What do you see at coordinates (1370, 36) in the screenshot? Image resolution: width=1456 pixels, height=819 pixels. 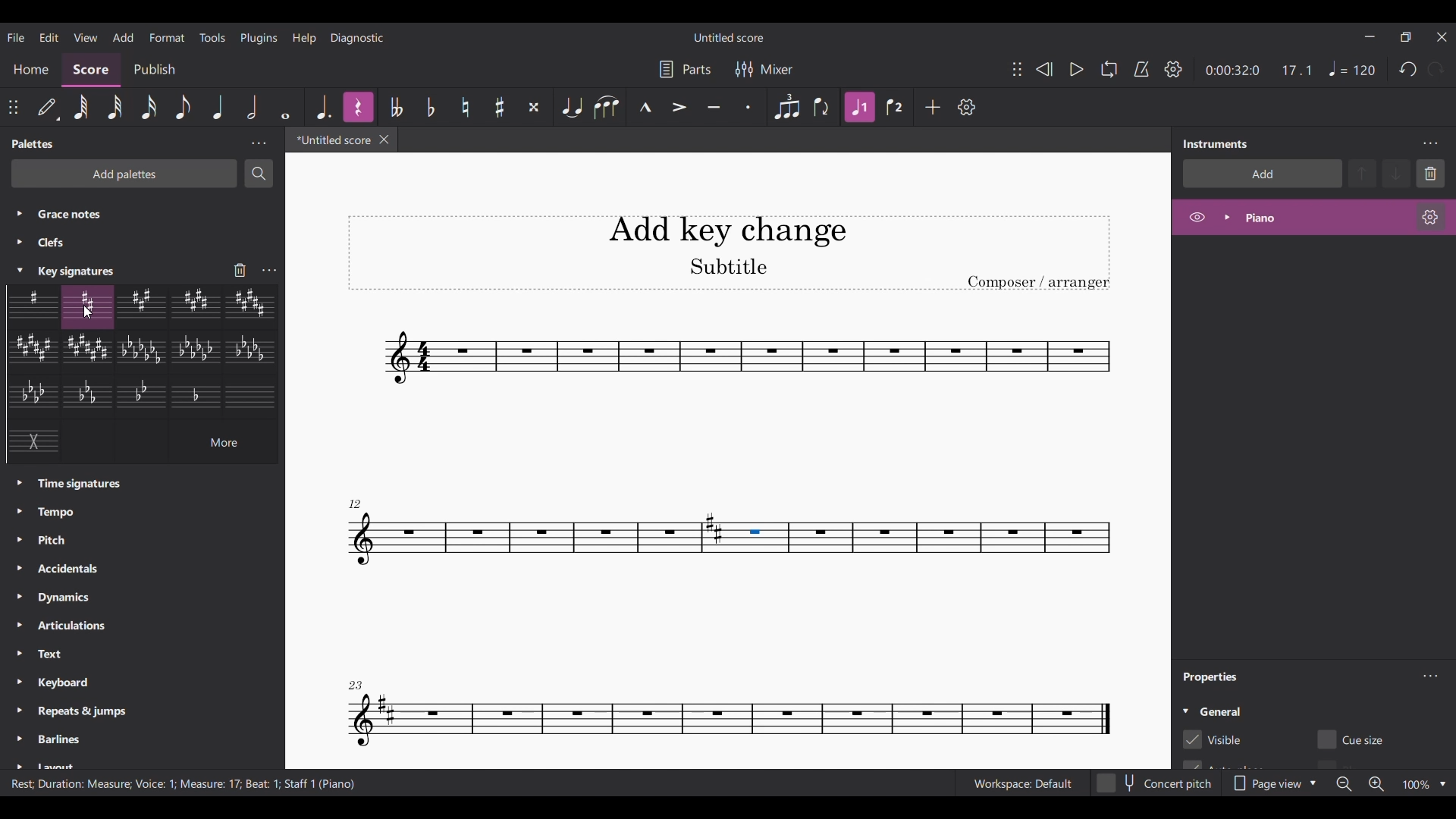 I see `Minimize` at bounding box center [1370, 36].